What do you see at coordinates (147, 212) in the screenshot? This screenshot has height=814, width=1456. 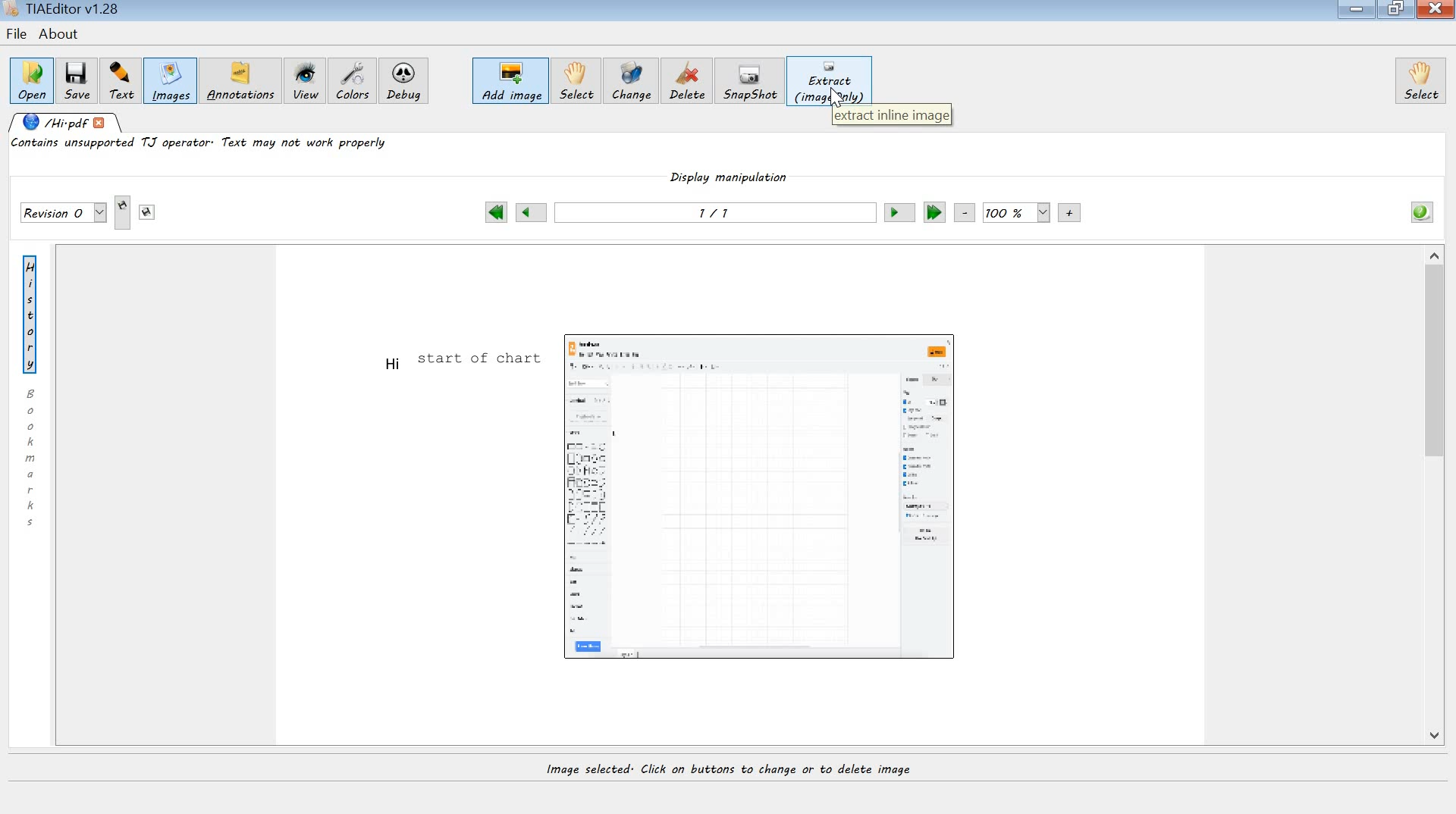 I see `saves this revision to another file` at bounding box center [147, 212].